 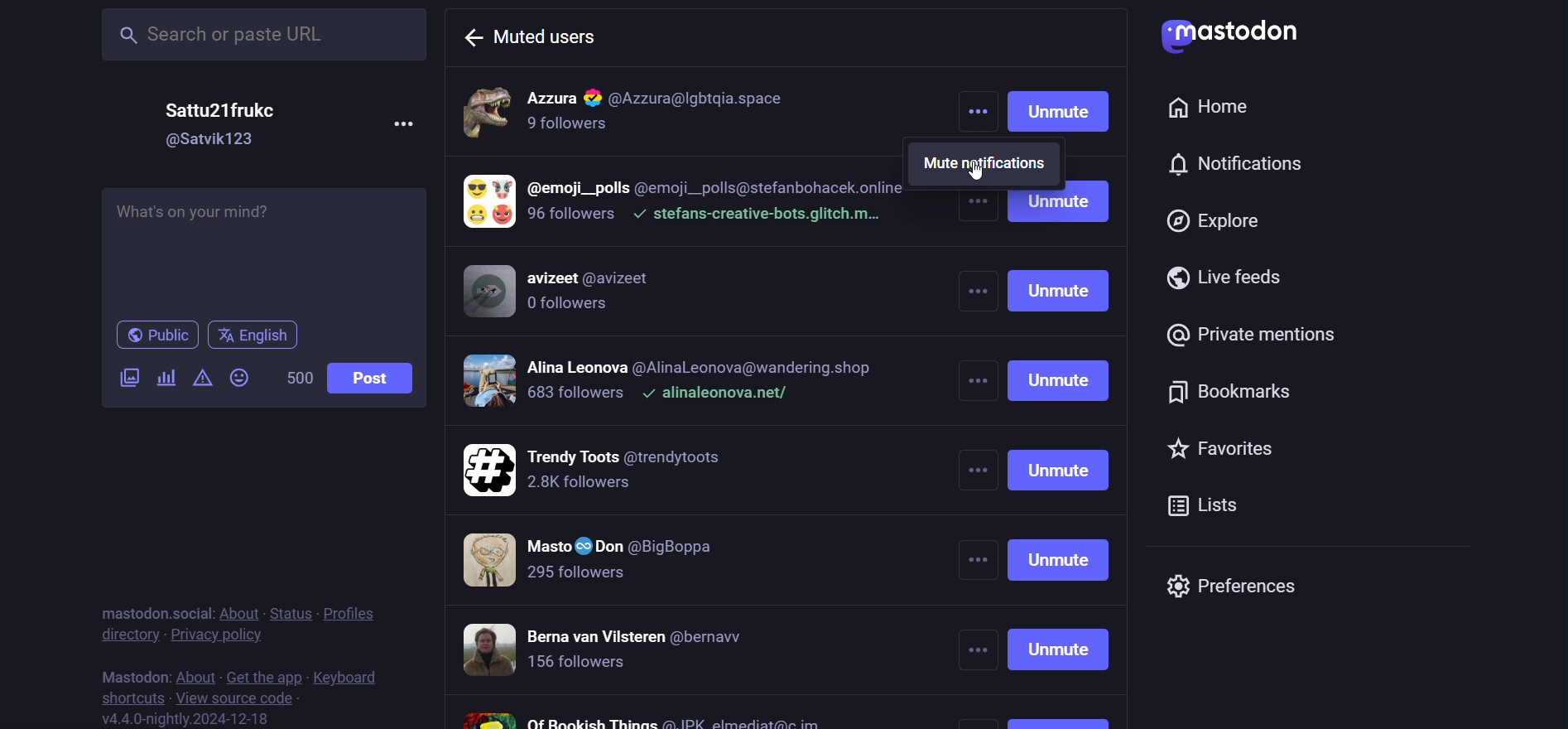 I want to click on shortcut, so click(x=129, y=698).